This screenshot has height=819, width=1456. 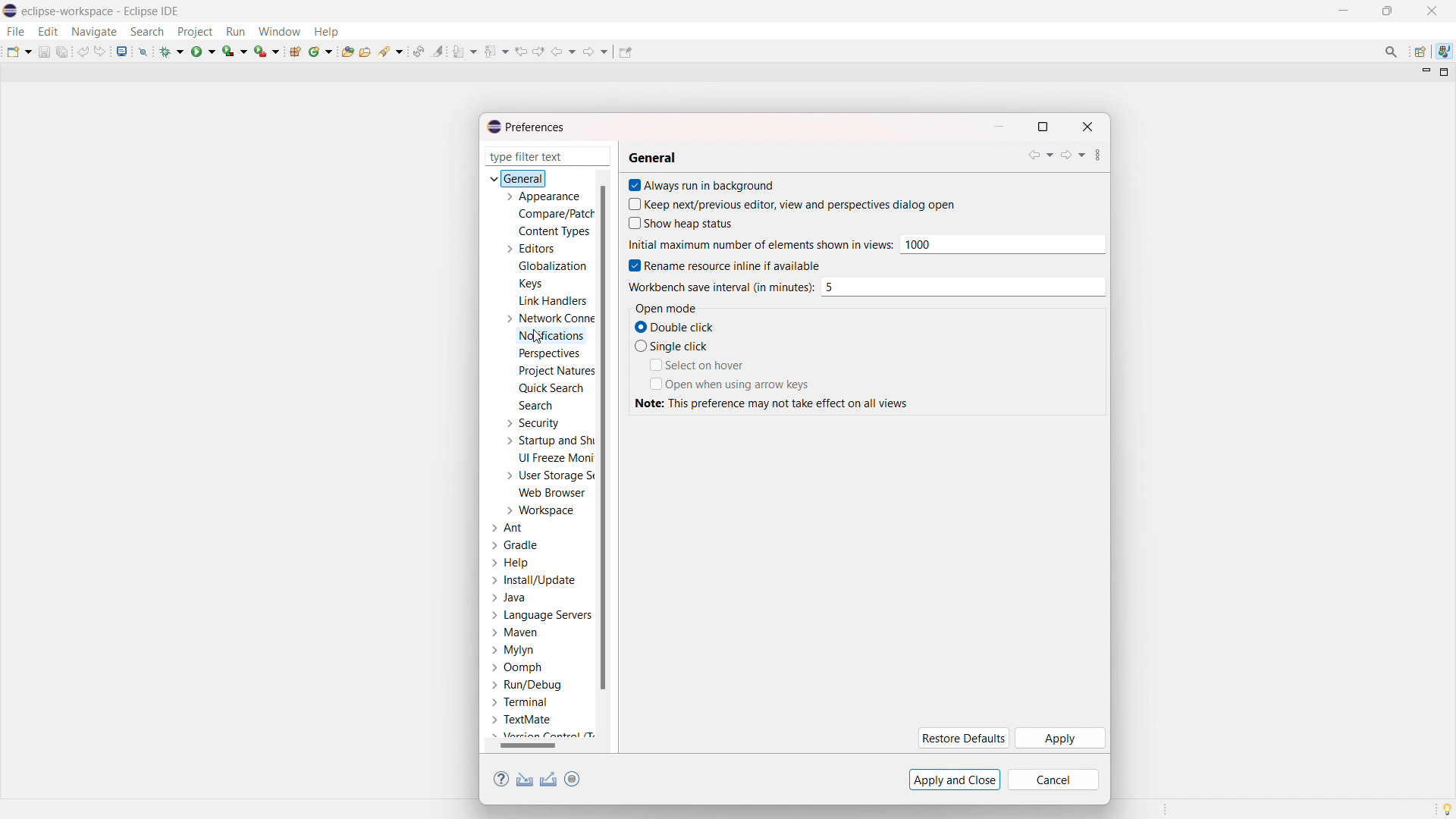 I want to click on compare/patch, so click(x=553, y=215).